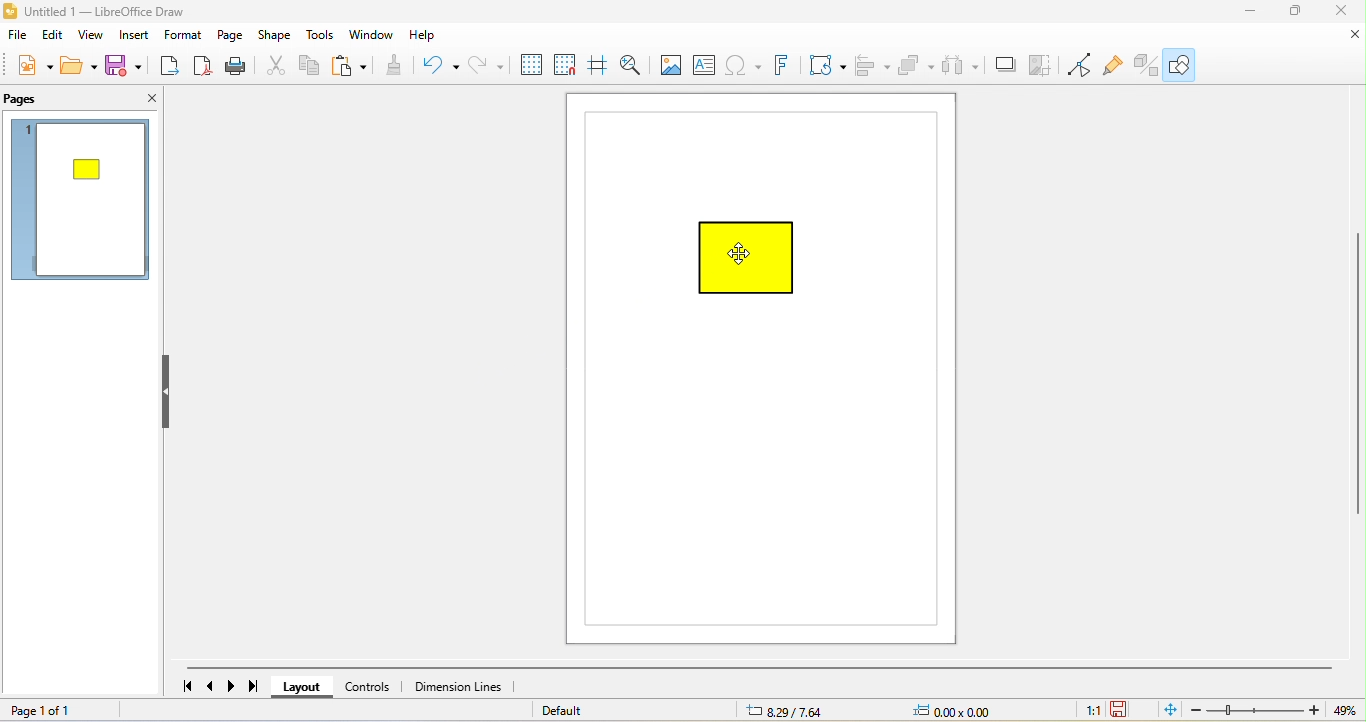 The height and width of the screenshot is (722, 1366). Describe the element at coordinates (140, 97) in the screenshot. I see `close` at that location.